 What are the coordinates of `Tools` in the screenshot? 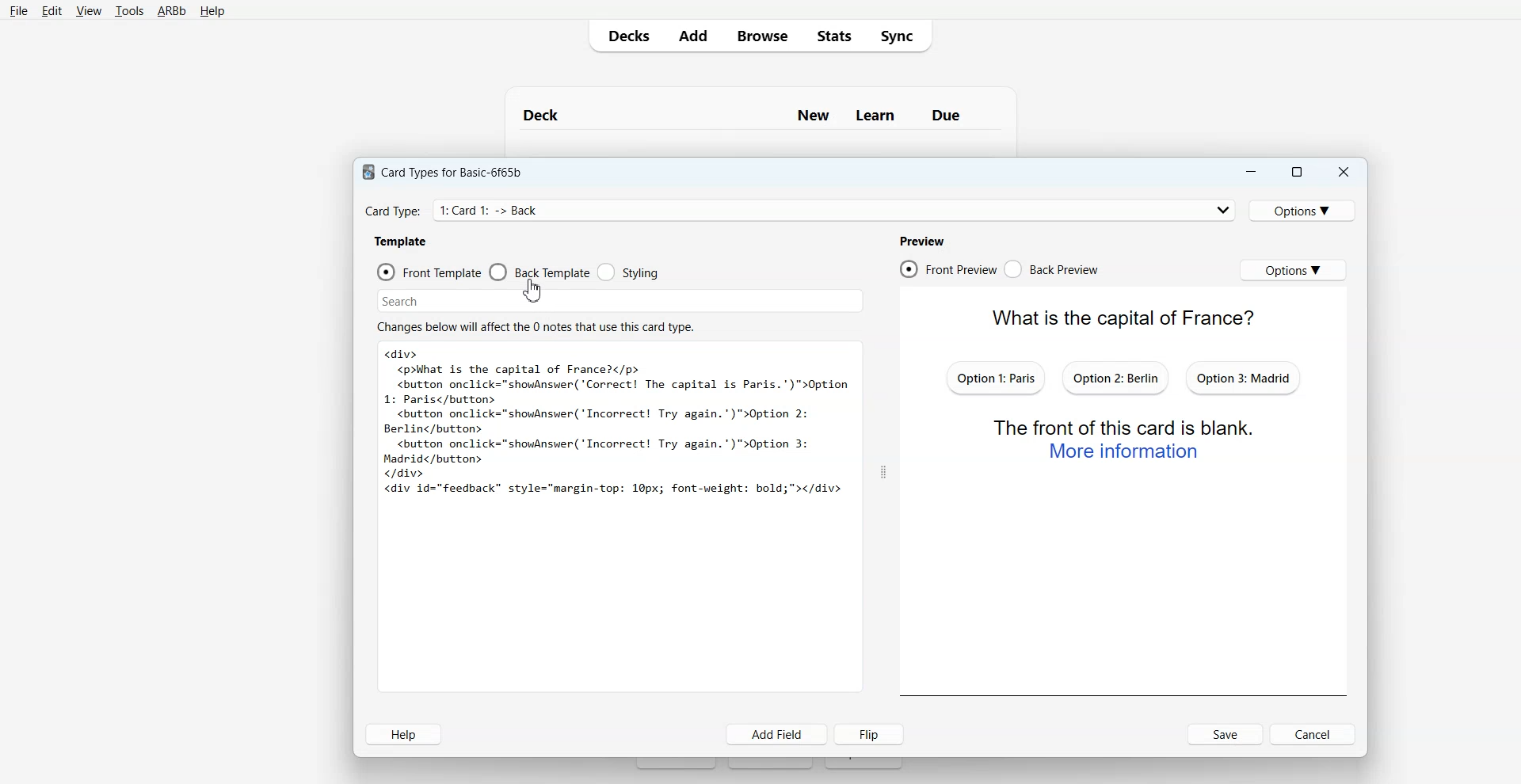 It's located at (129, 11).